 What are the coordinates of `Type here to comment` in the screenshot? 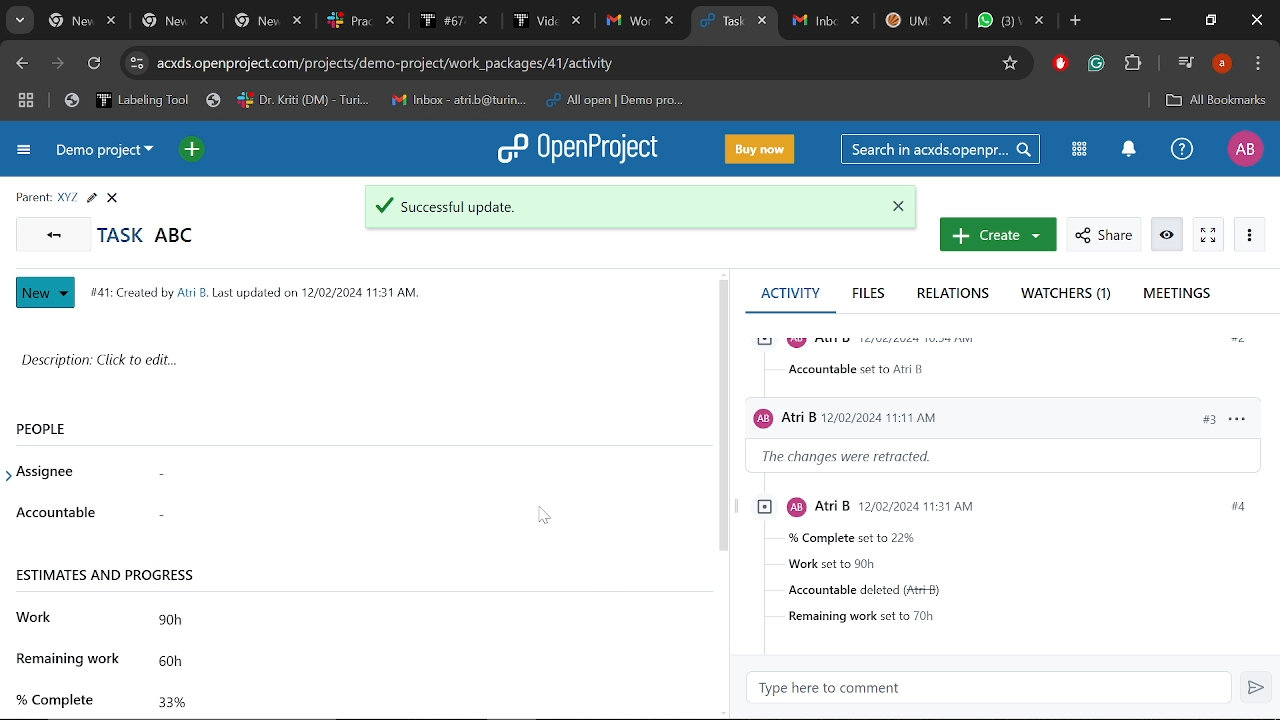 It's located at (995, 688).